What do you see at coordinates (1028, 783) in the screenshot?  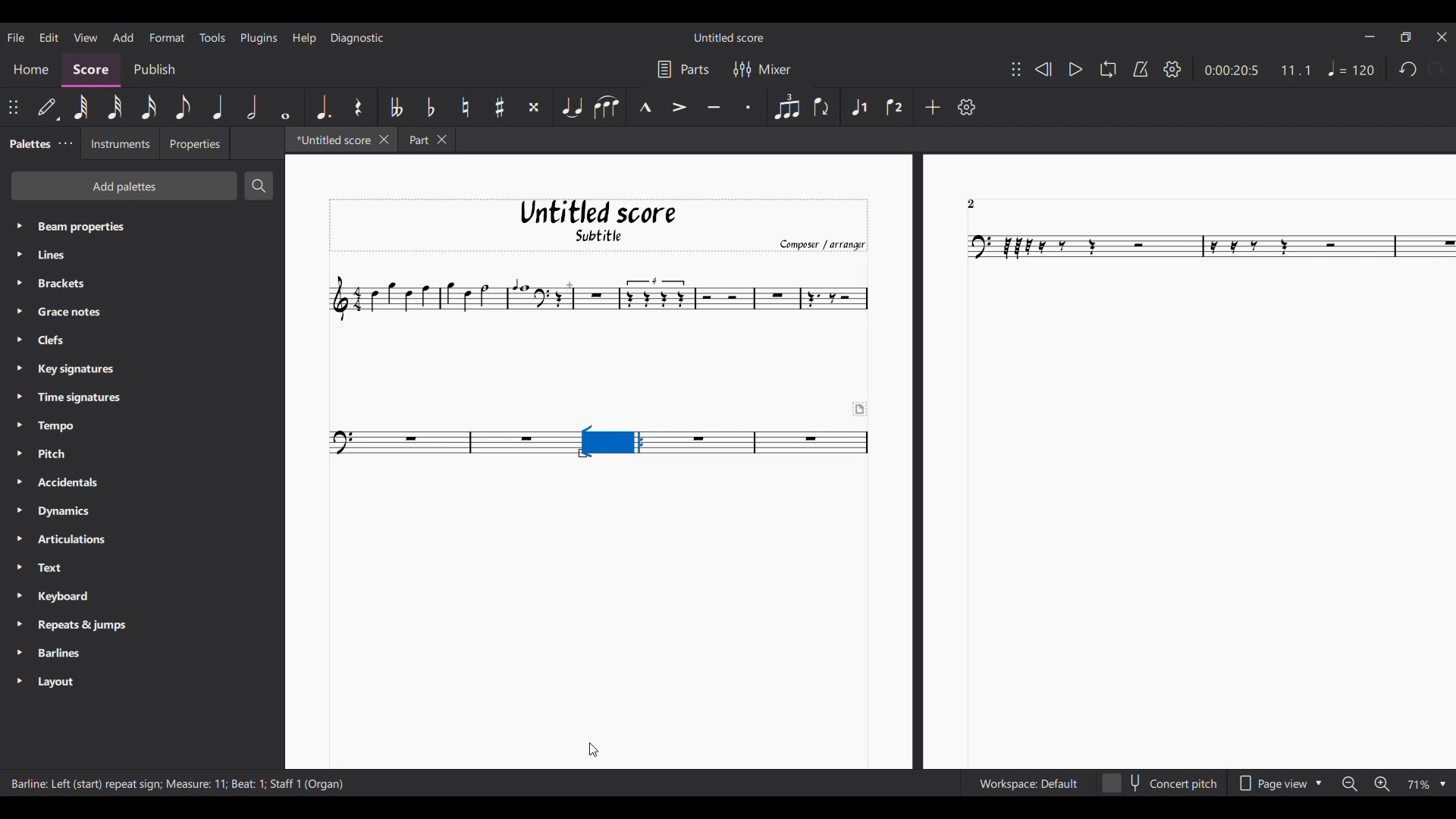 I see `Workspace settings` at bounding box center [1028, 783].